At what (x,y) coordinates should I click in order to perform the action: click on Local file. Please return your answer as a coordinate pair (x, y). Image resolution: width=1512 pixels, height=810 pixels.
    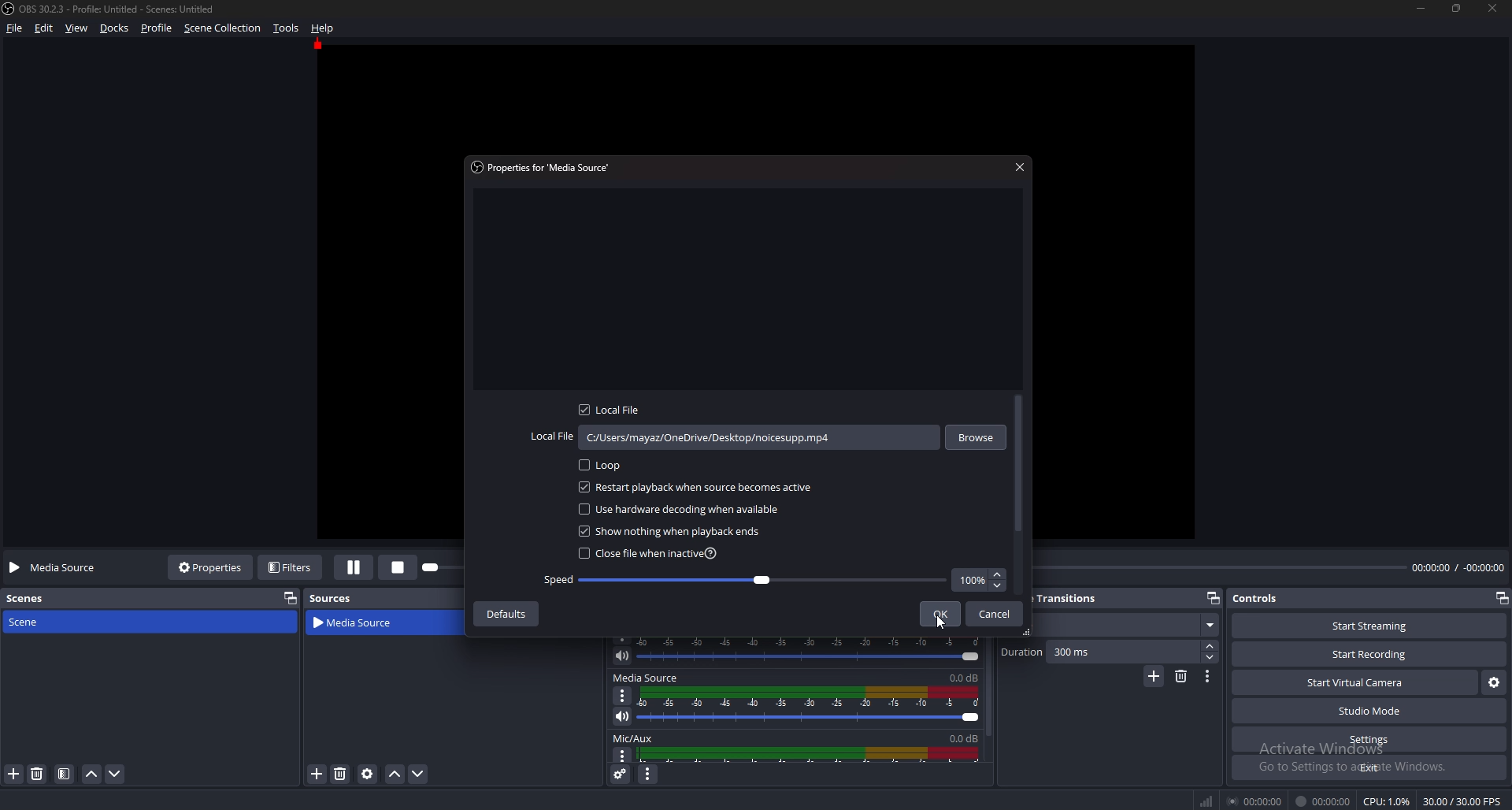
    Looking at the image, I should click on (615, 410).